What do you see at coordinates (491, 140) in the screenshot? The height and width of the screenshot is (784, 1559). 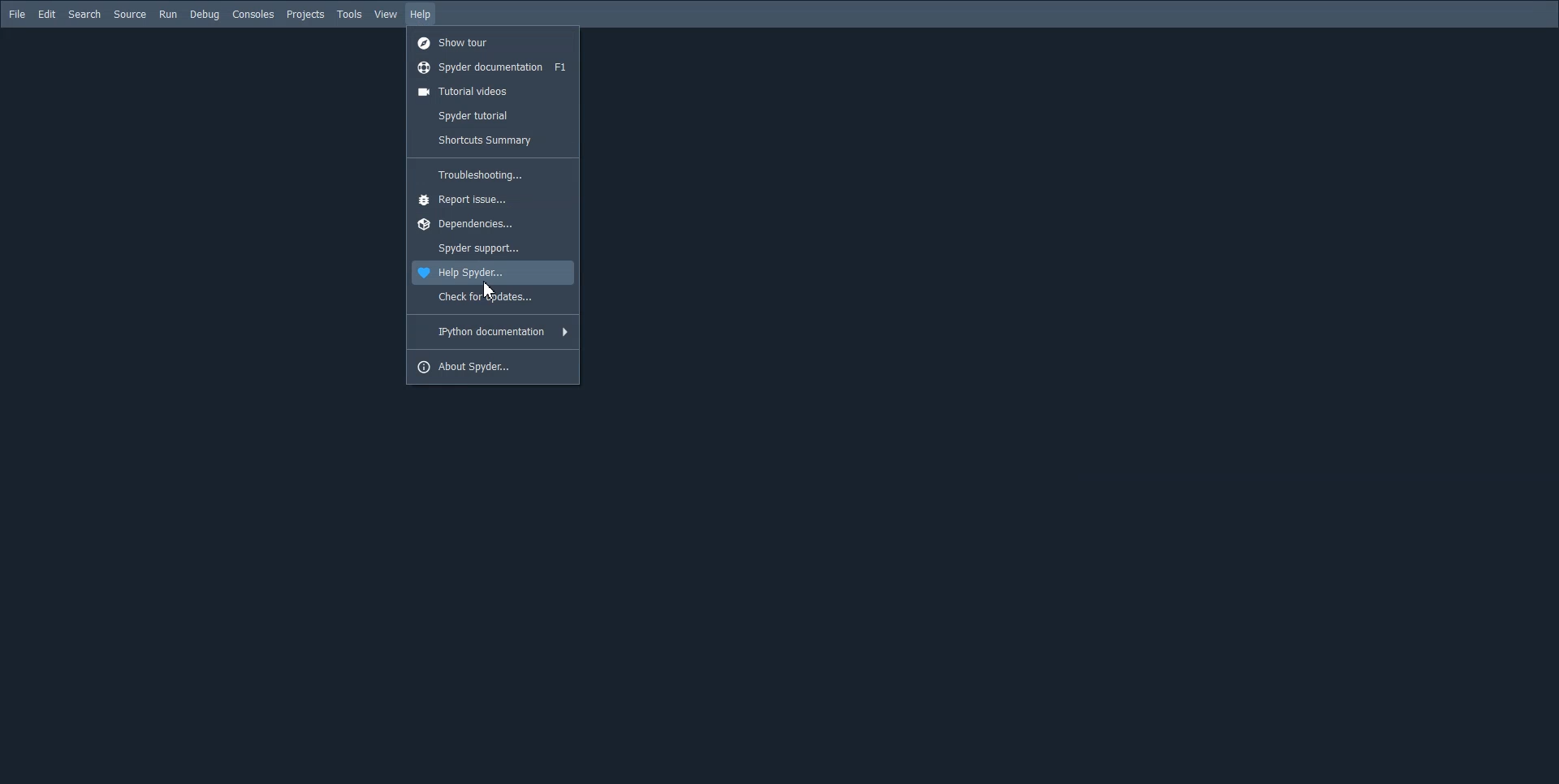 I see `Shortcuts summary` at bounding box center [491, 140].